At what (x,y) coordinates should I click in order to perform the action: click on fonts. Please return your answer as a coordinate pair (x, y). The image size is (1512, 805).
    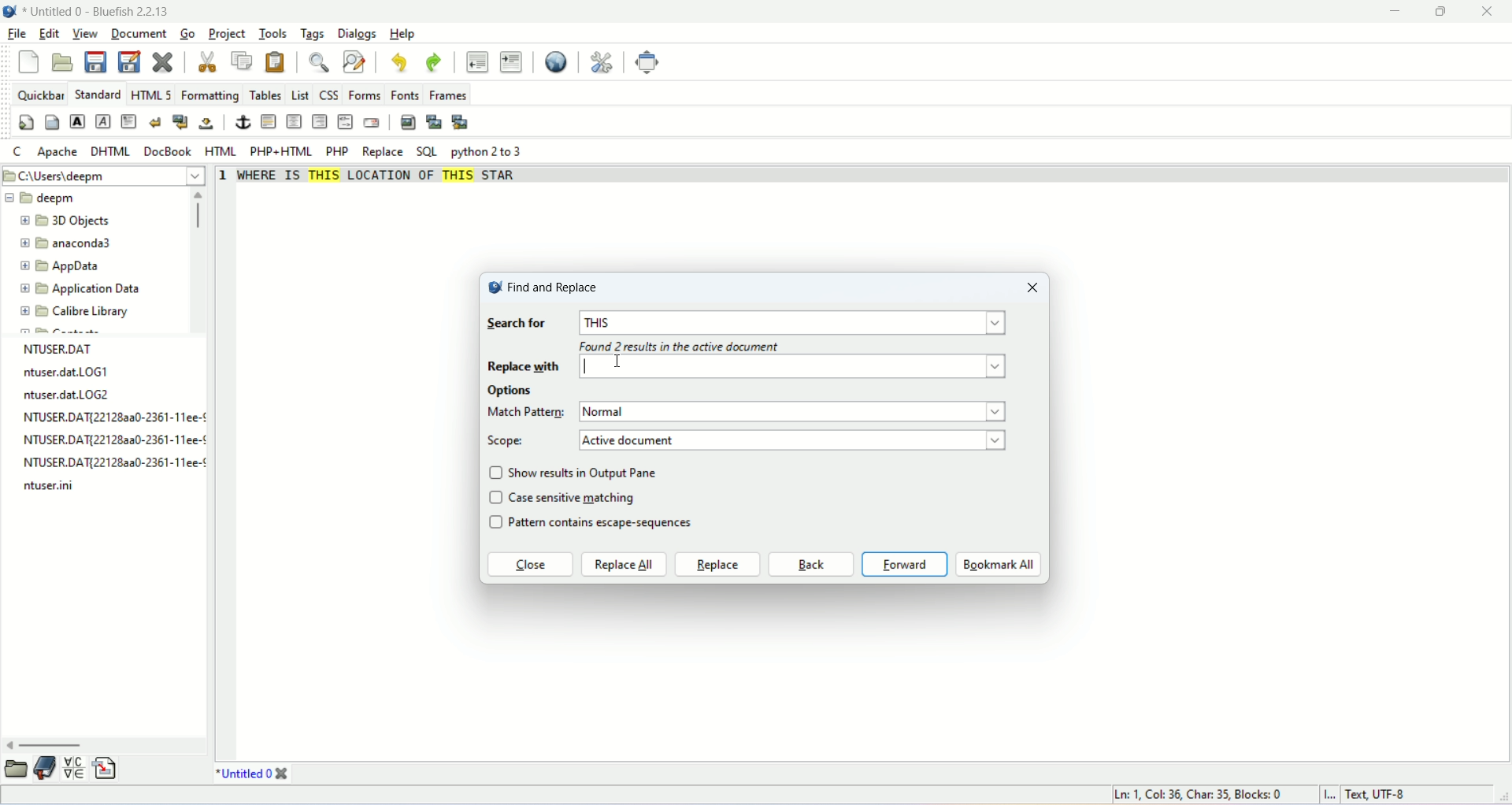
    Looking at the image, I should click on (406, 95).